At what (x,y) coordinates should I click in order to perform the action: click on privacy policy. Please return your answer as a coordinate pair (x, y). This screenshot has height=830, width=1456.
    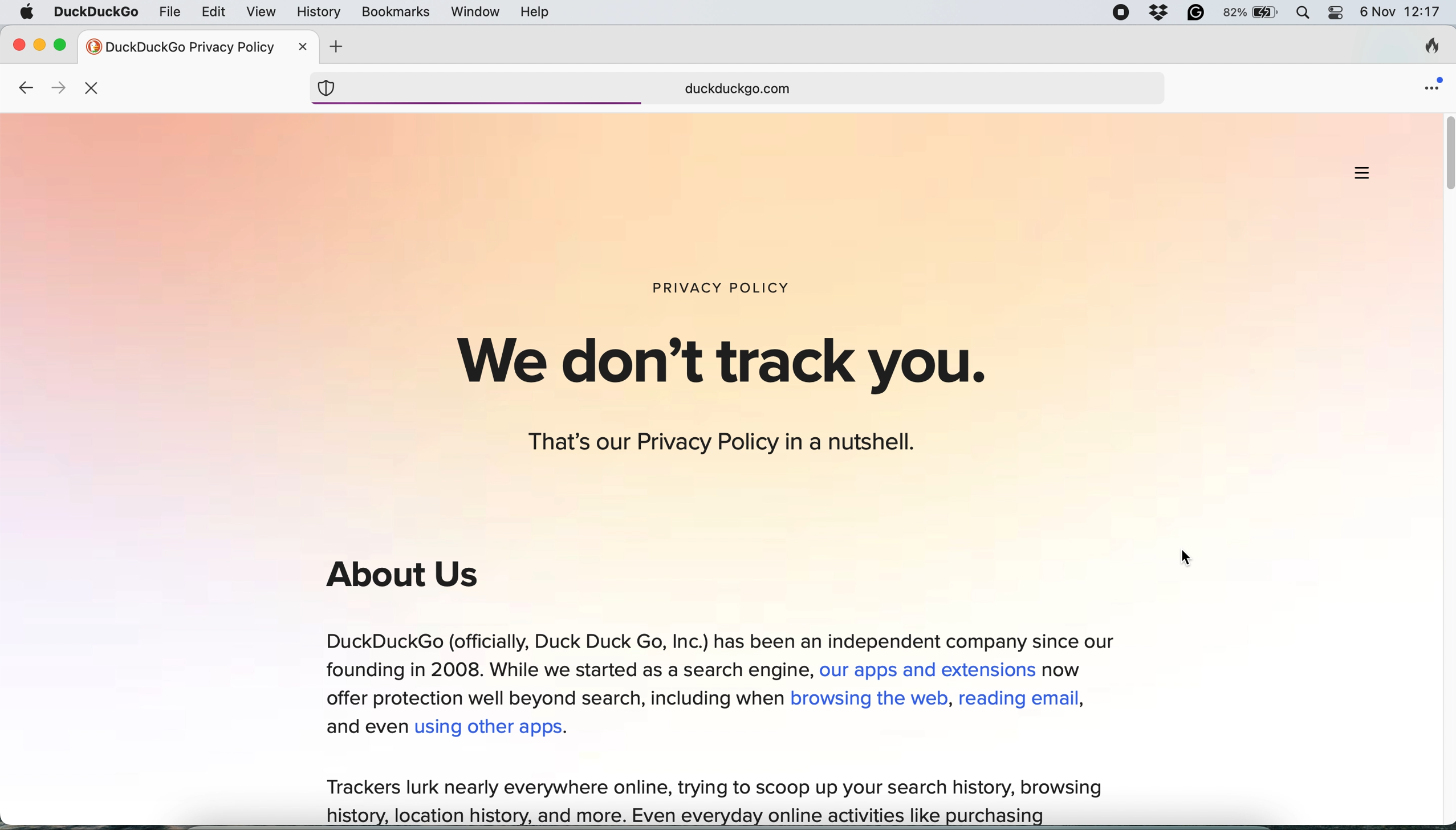
    Looking at the image, I should click on (732, 286).